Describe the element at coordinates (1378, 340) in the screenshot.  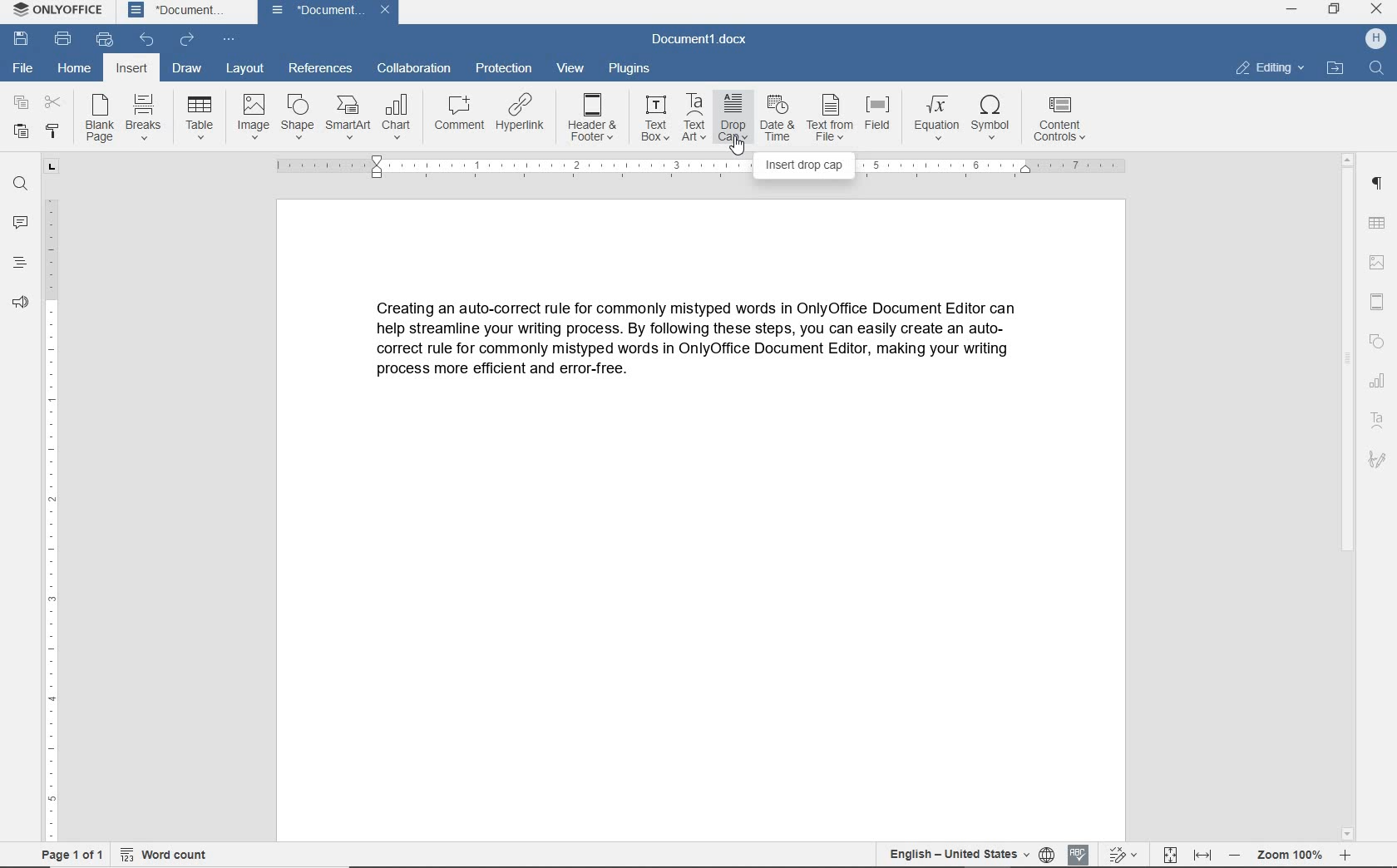
I see `shape` at that location.